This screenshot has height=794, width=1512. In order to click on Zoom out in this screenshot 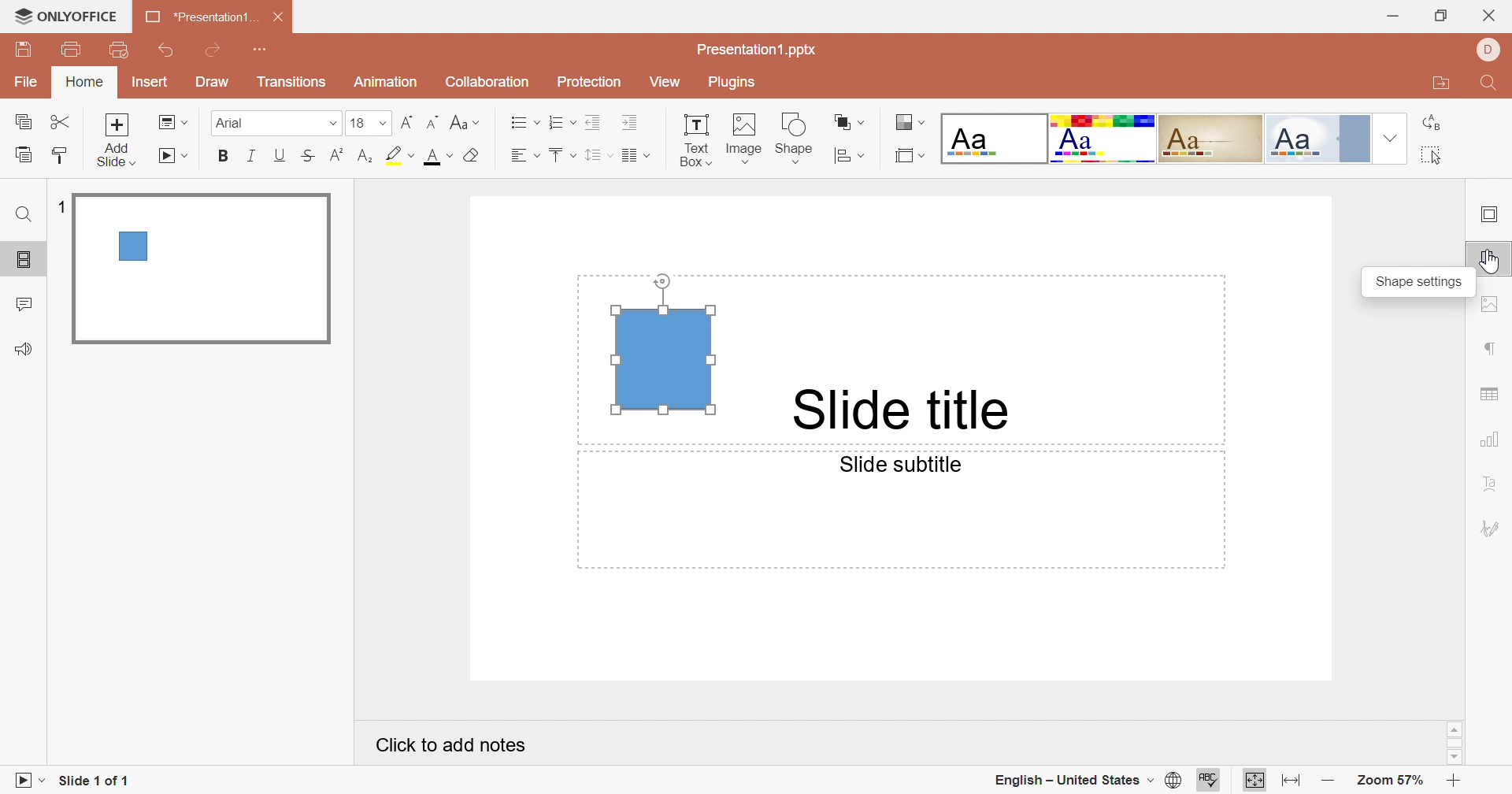, I will do `click(1324, 779)`.